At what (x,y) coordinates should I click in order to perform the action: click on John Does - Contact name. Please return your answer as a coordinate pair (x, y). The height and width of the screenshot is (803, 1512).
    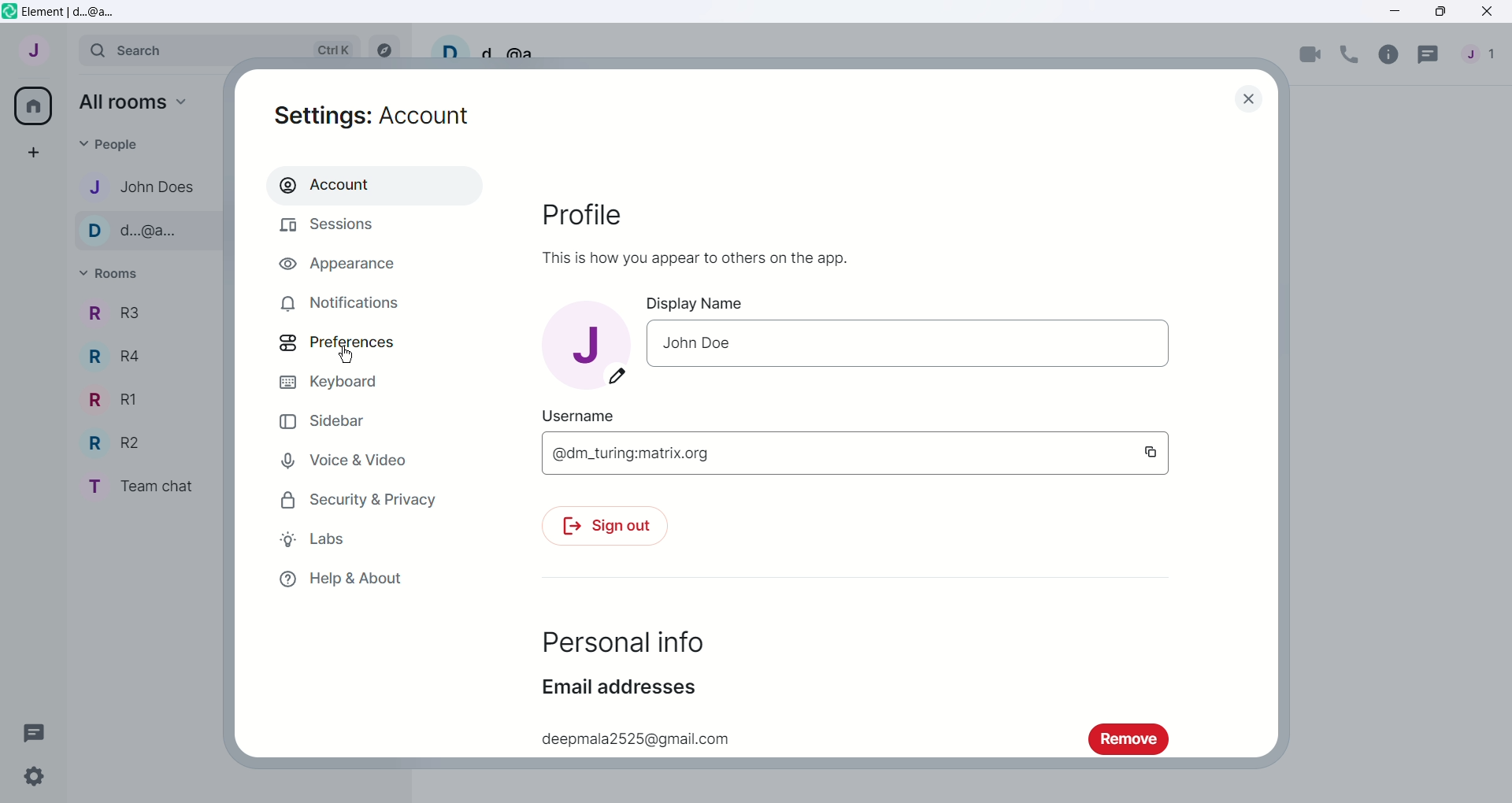
    Looking at the image, I should click on (150, 187).